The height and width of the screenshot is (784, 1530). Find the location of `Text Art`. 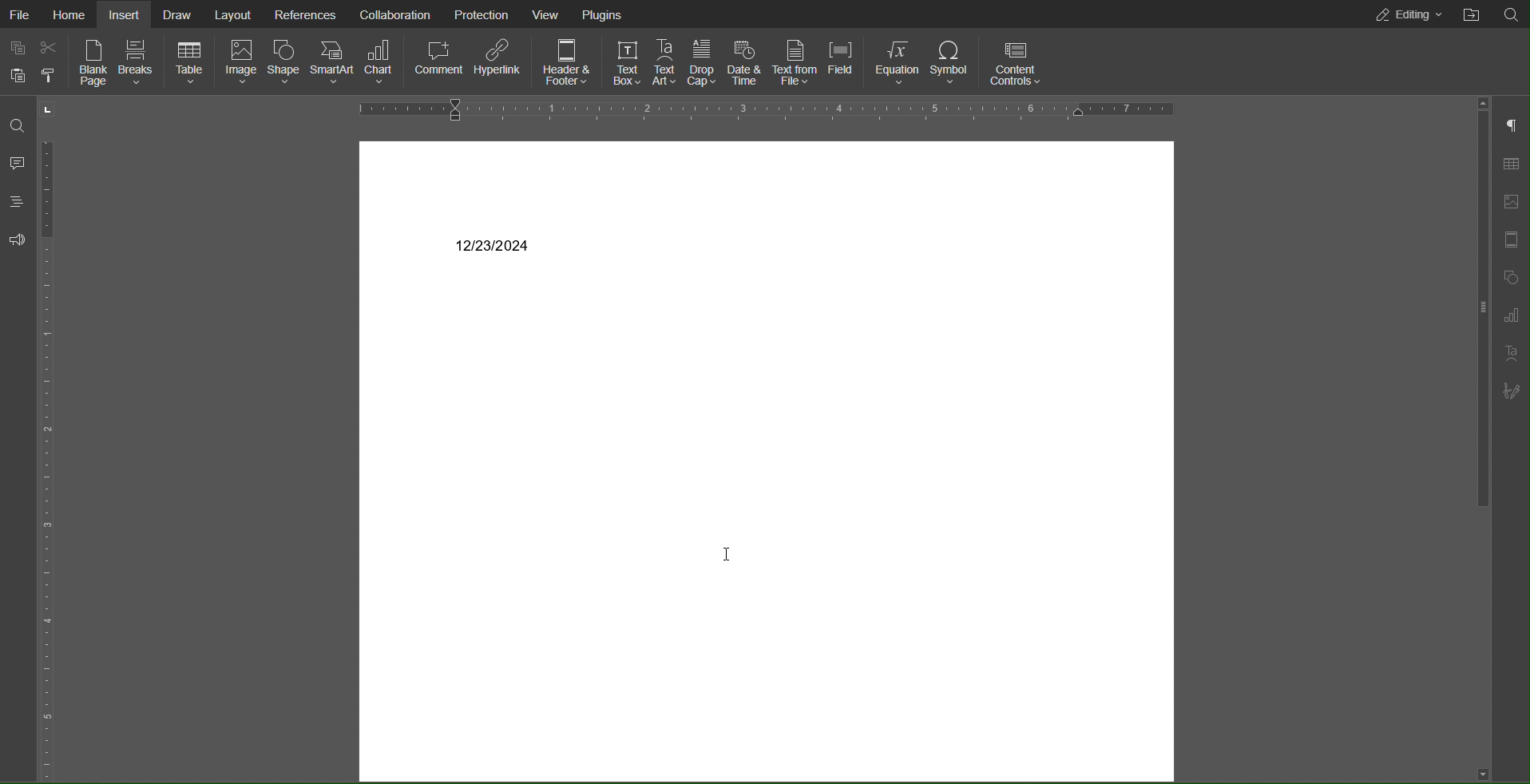

Text Art is located at coordinates (1512, 353).